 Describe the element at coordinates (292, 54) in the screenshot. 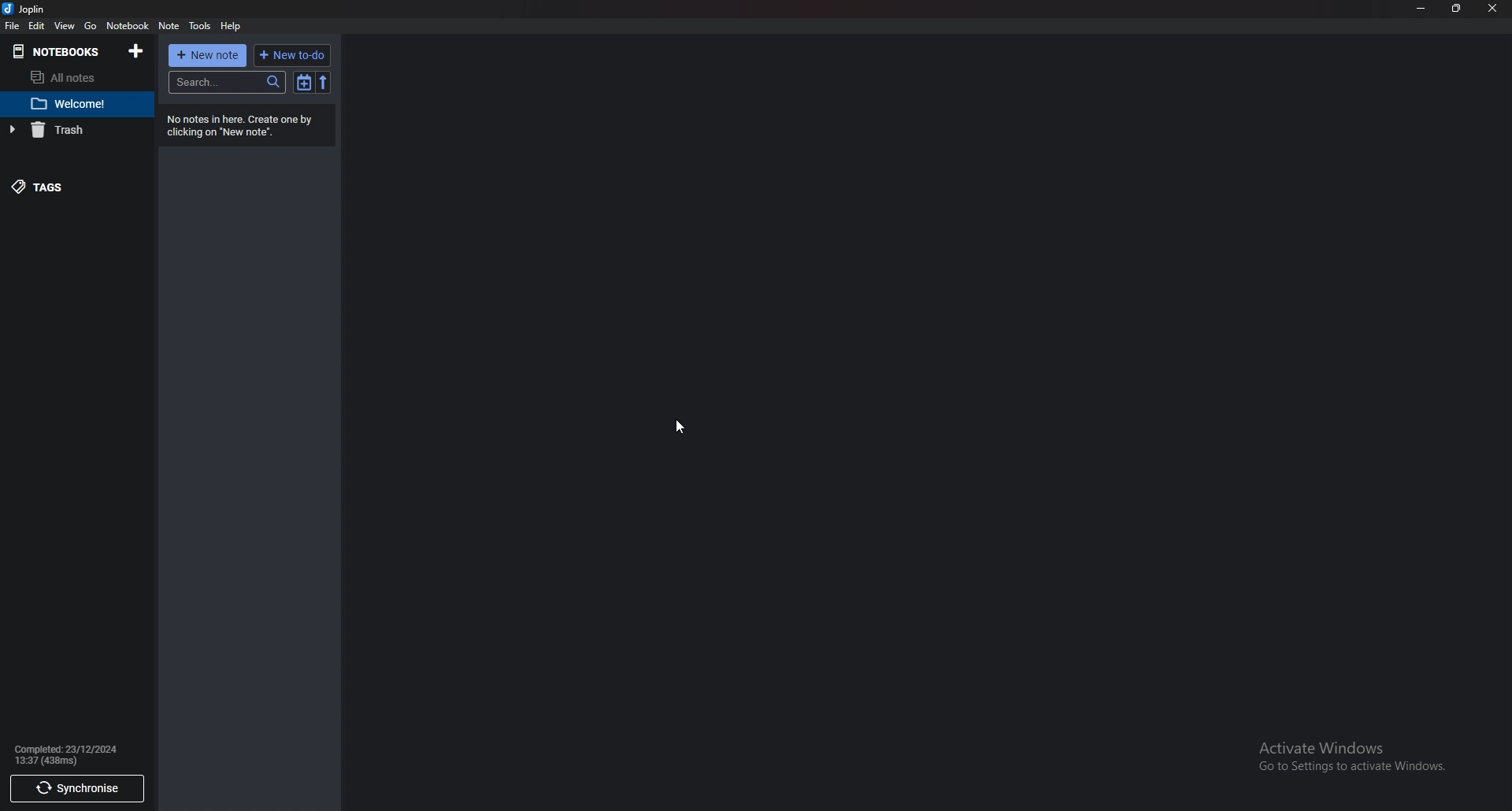

I see `New to do` at that location.